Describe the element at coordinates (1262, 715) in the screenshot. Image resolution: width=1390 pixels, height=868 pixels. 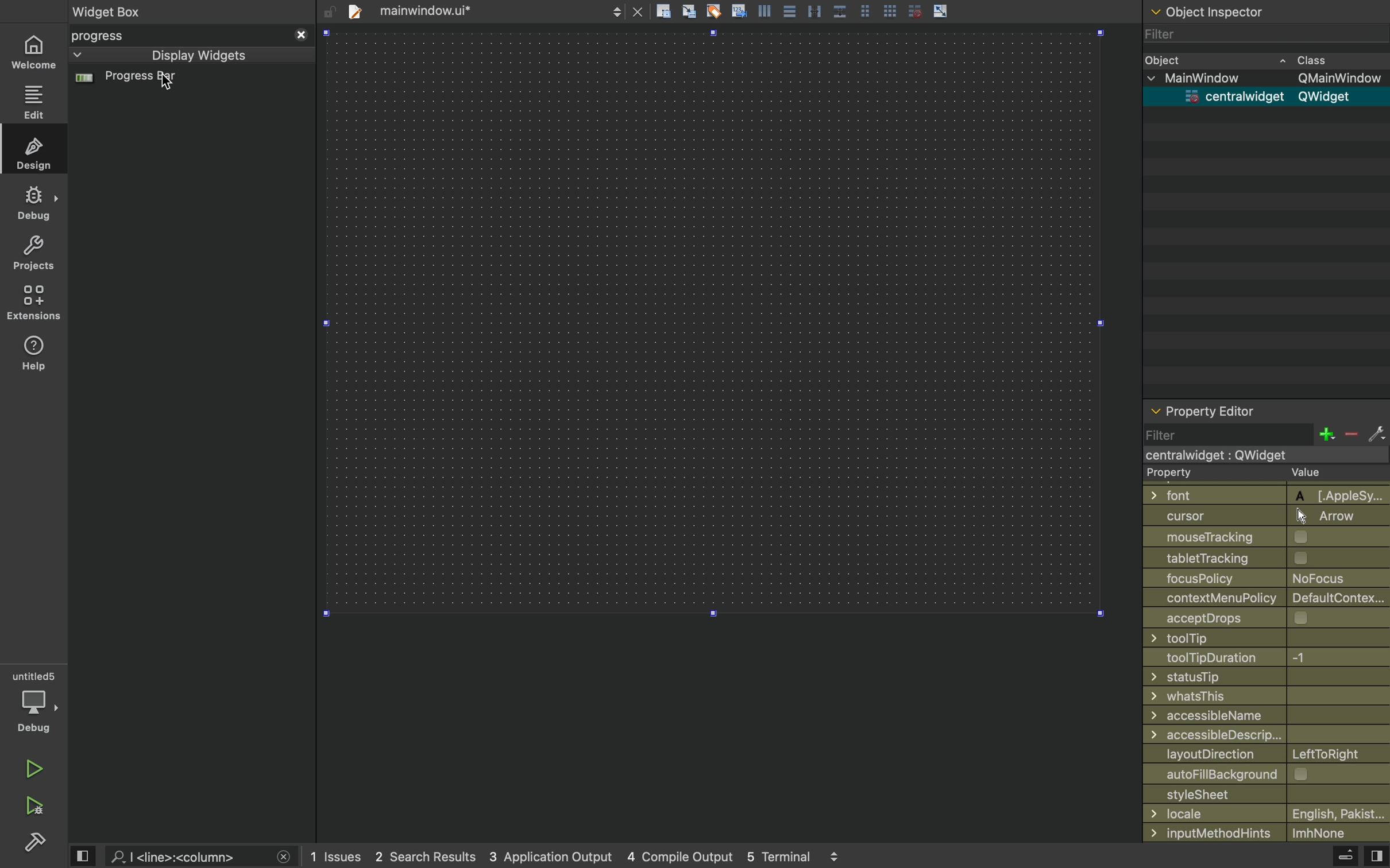
I see `accessiblename` at that location.